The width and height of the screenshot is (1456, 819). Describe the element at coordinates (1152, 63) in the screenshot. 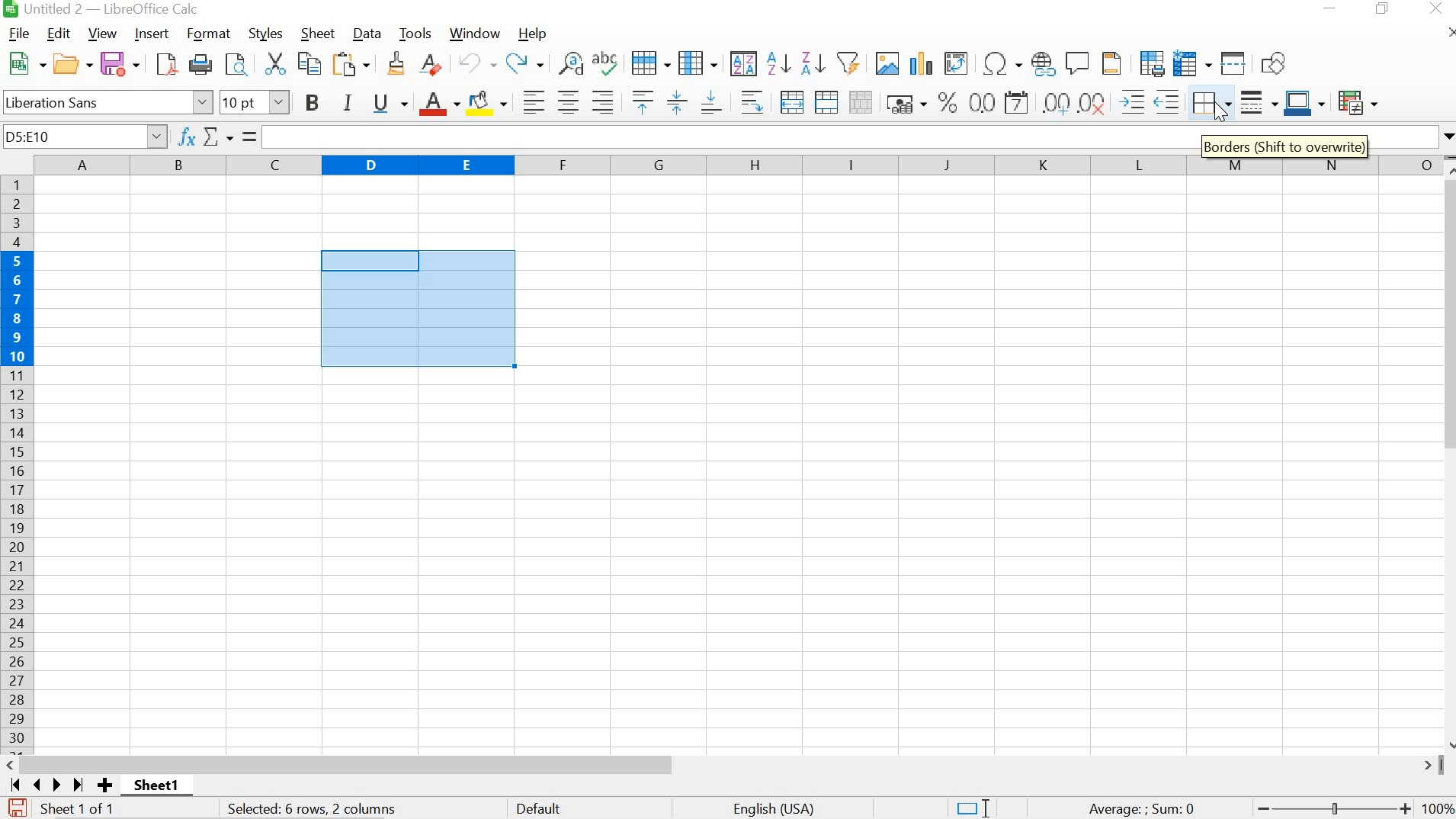

I see `define print area` at that location.